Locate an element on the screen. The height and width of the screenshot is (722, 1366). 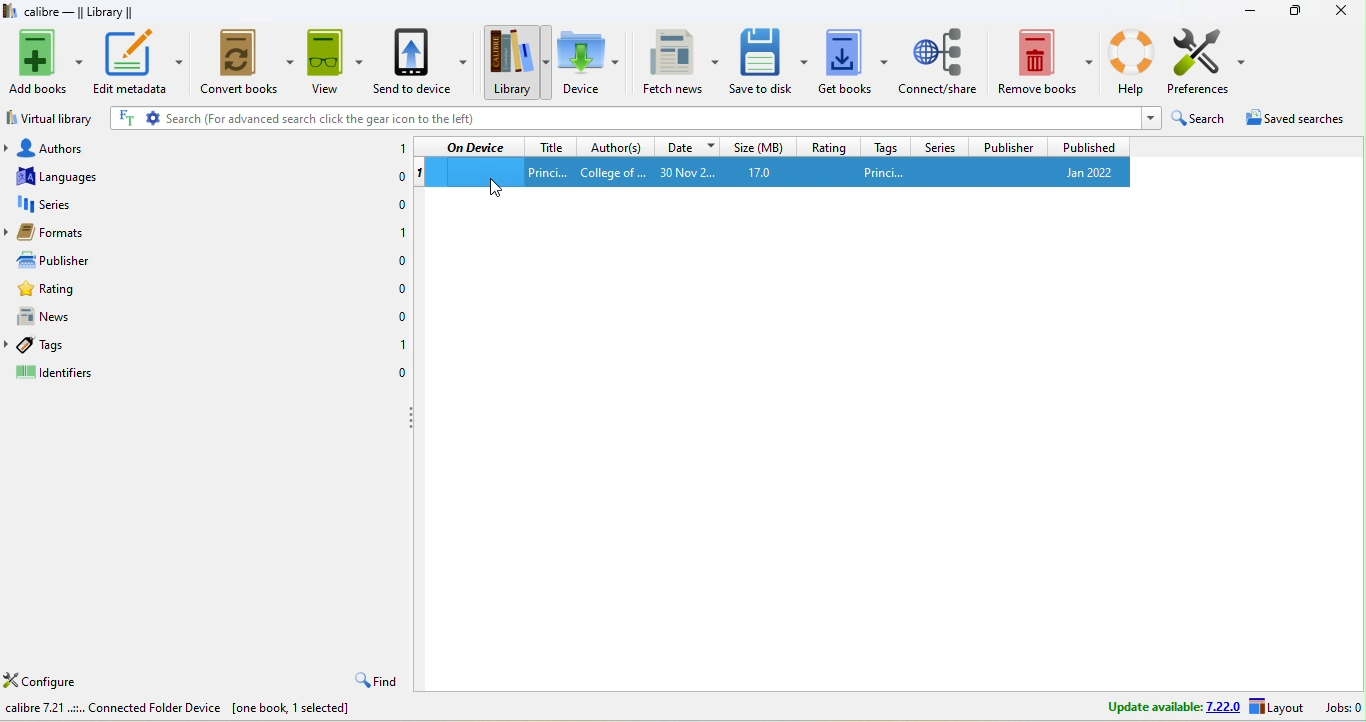
0 is located at coordinates (395, 206).